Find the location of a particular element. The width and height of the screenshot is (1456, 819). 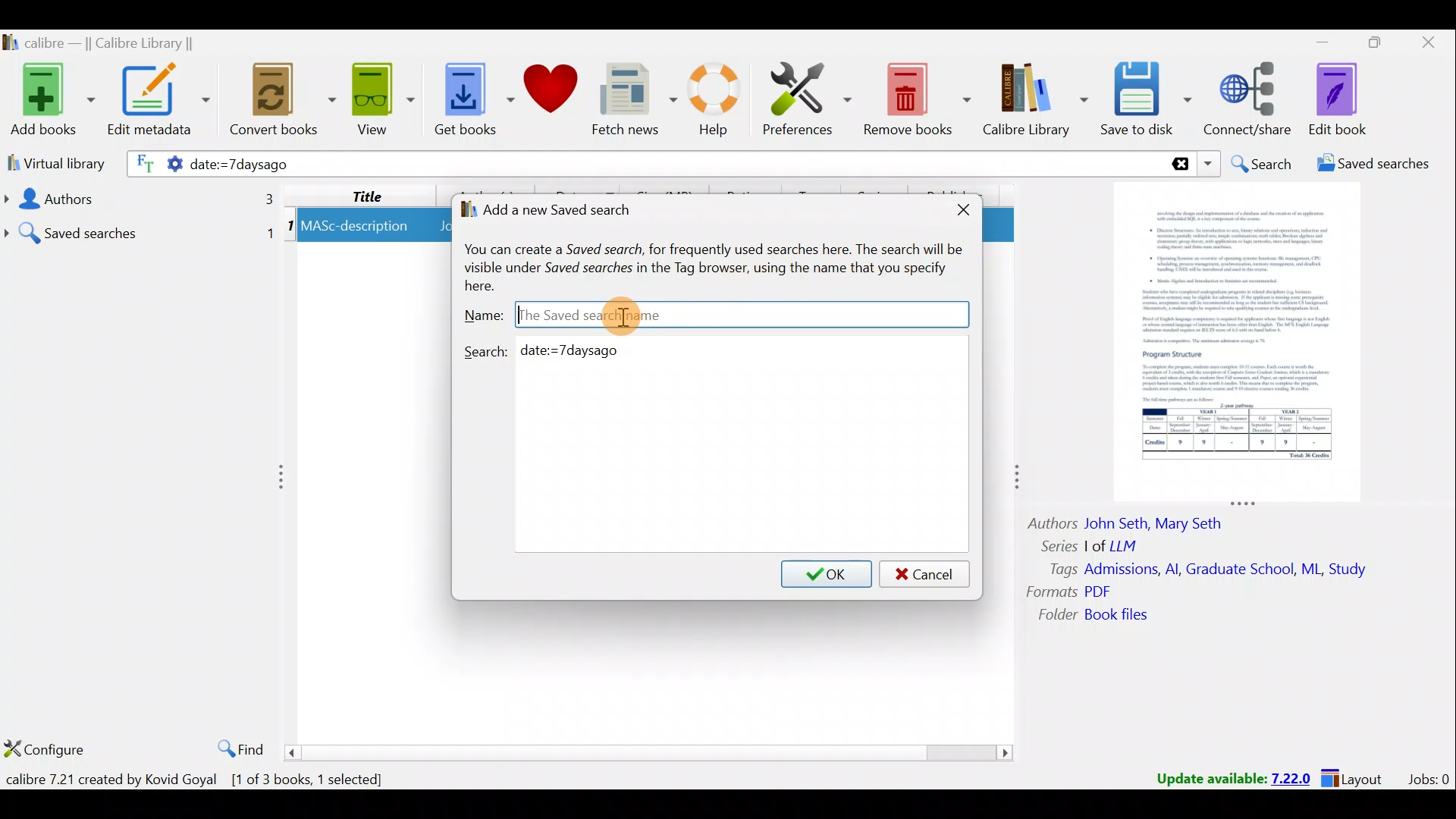

Help is located at coordinates (720, 102).